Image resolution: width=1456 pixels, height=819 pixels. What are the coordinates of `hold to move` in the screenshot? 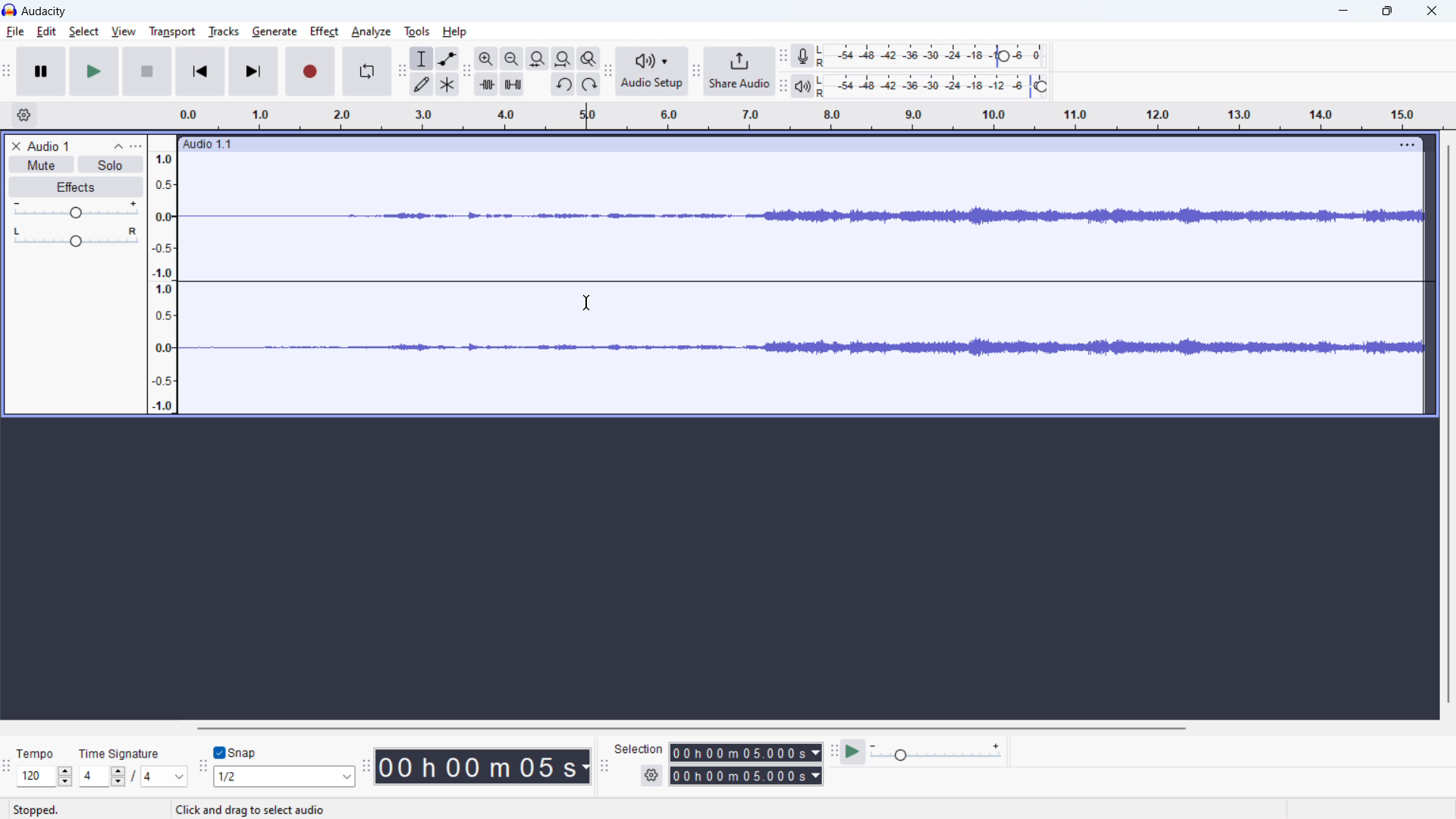 It's located at (784, 144).